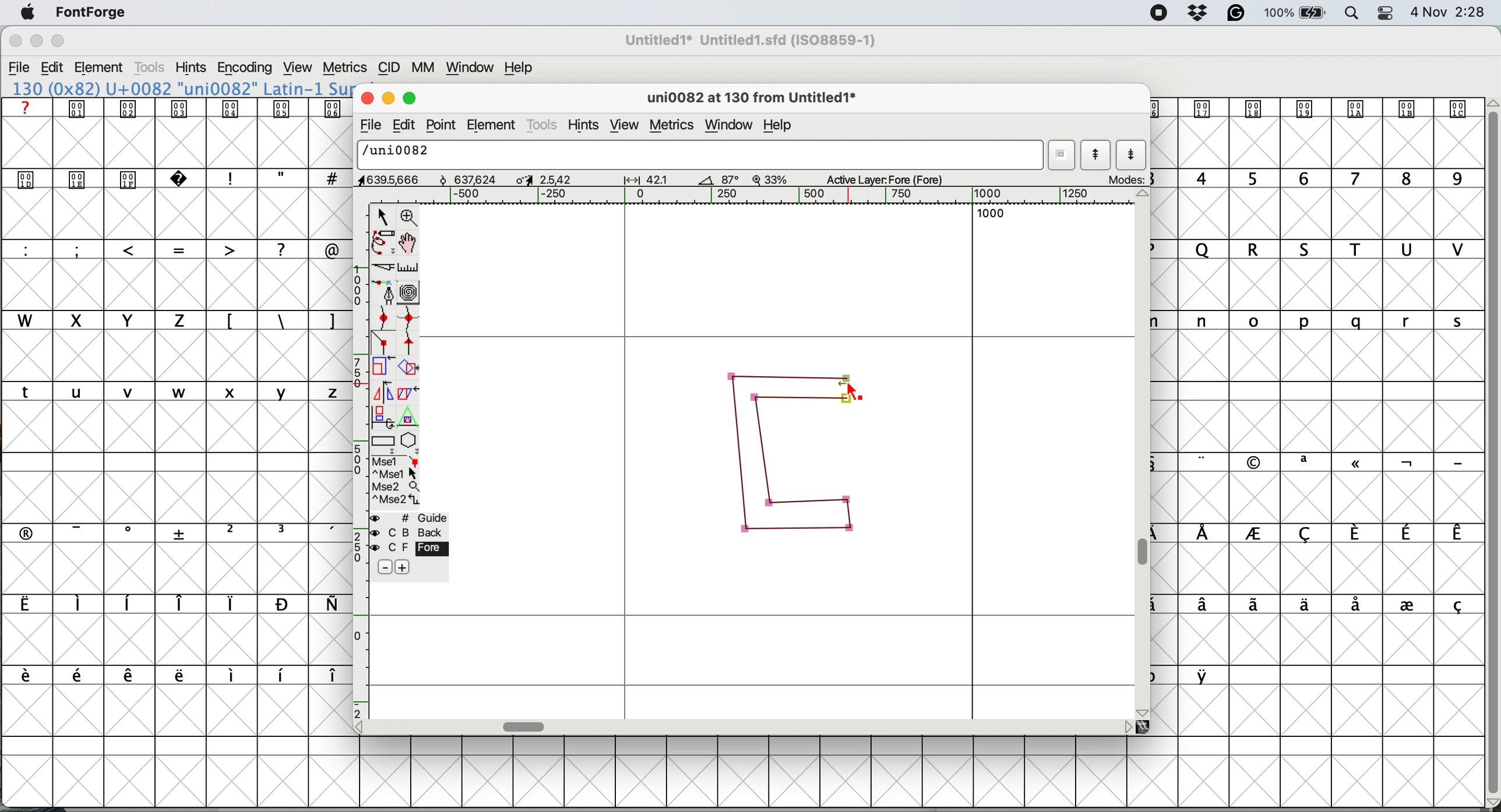  What do you see at coordinates (410, 243) in the screenshot?
I see `scroll by hand` at bounding box center [410, 243].